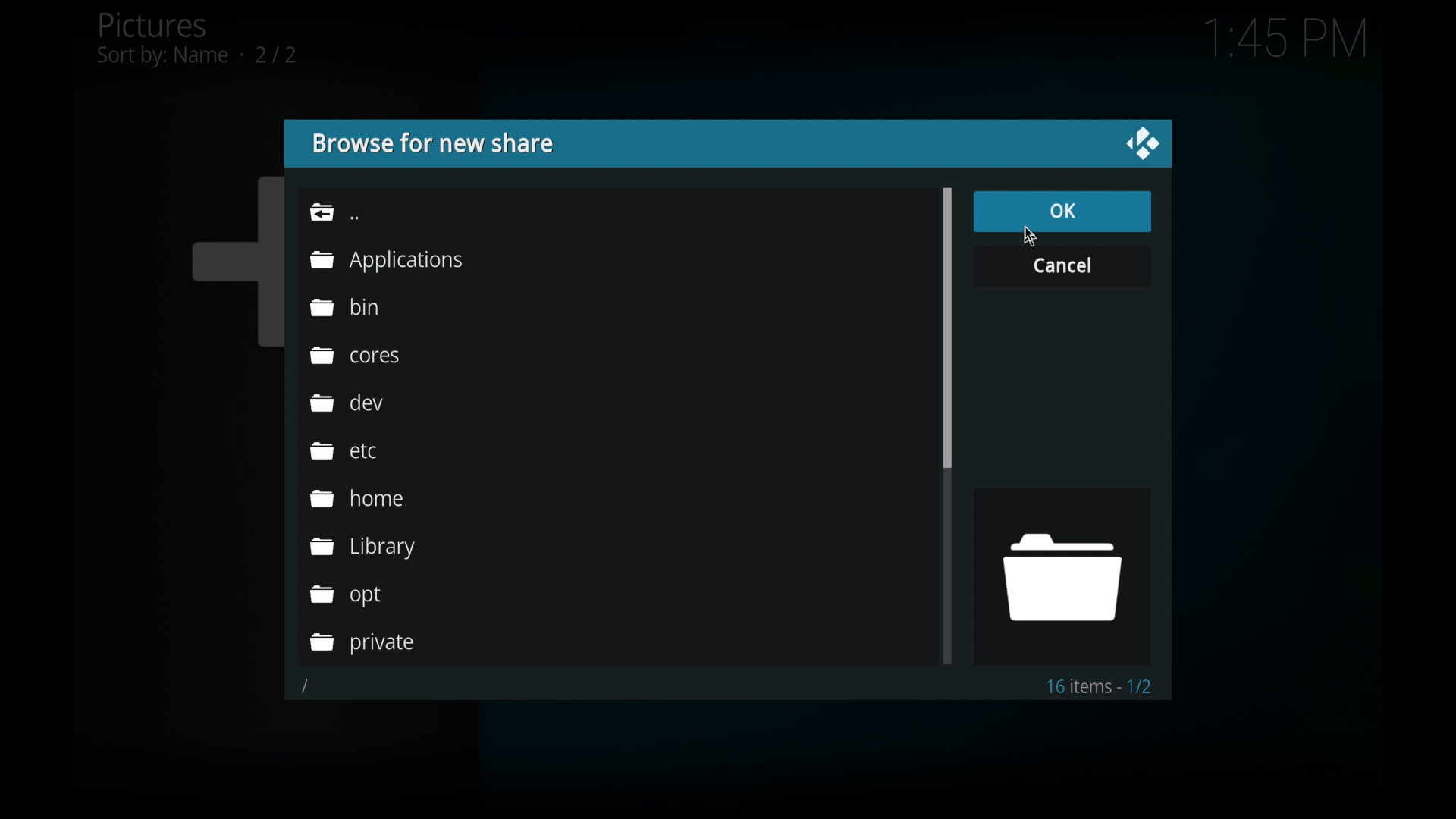 The height and width of the screenshot is (819, 1456). Describe the element at coordinates (343, 450) in the screenshot. I see `etc` at that location.